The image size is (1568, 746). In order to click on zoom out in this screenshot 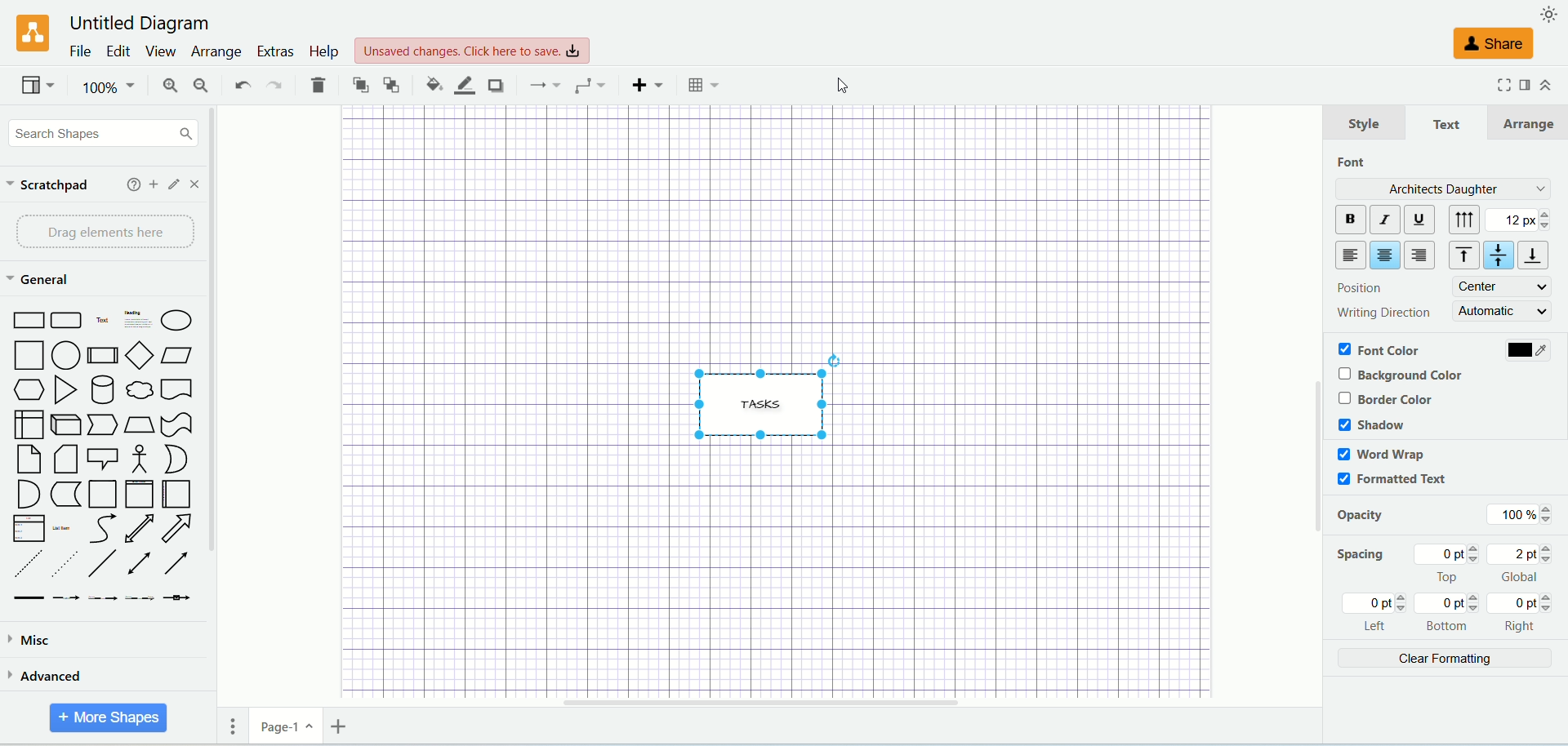, I will do `click(198, 85)`.